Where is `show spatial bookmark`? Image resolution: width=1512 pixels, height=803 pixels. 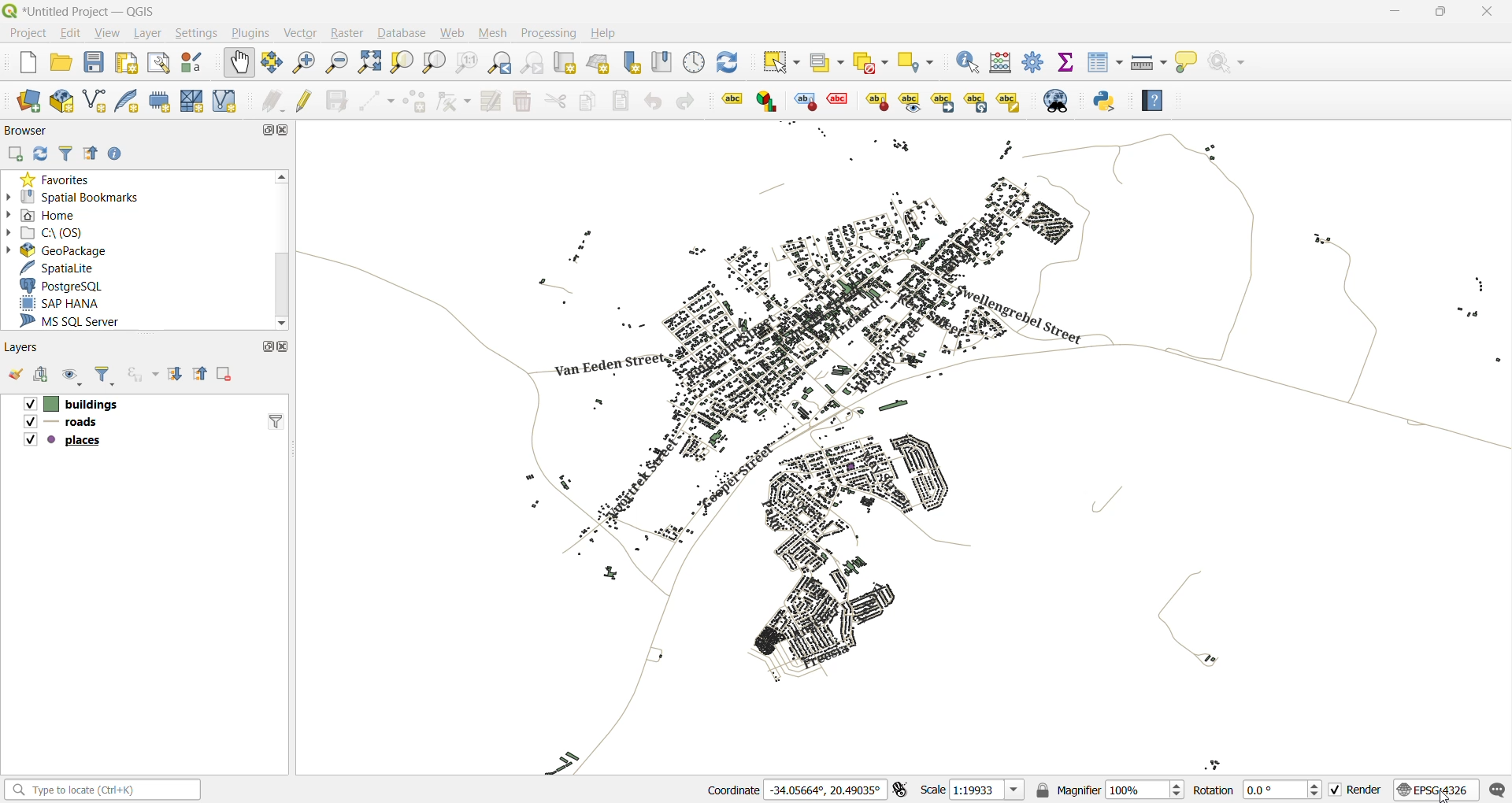
show spatial bookmark is located at coordinates (665, 63).